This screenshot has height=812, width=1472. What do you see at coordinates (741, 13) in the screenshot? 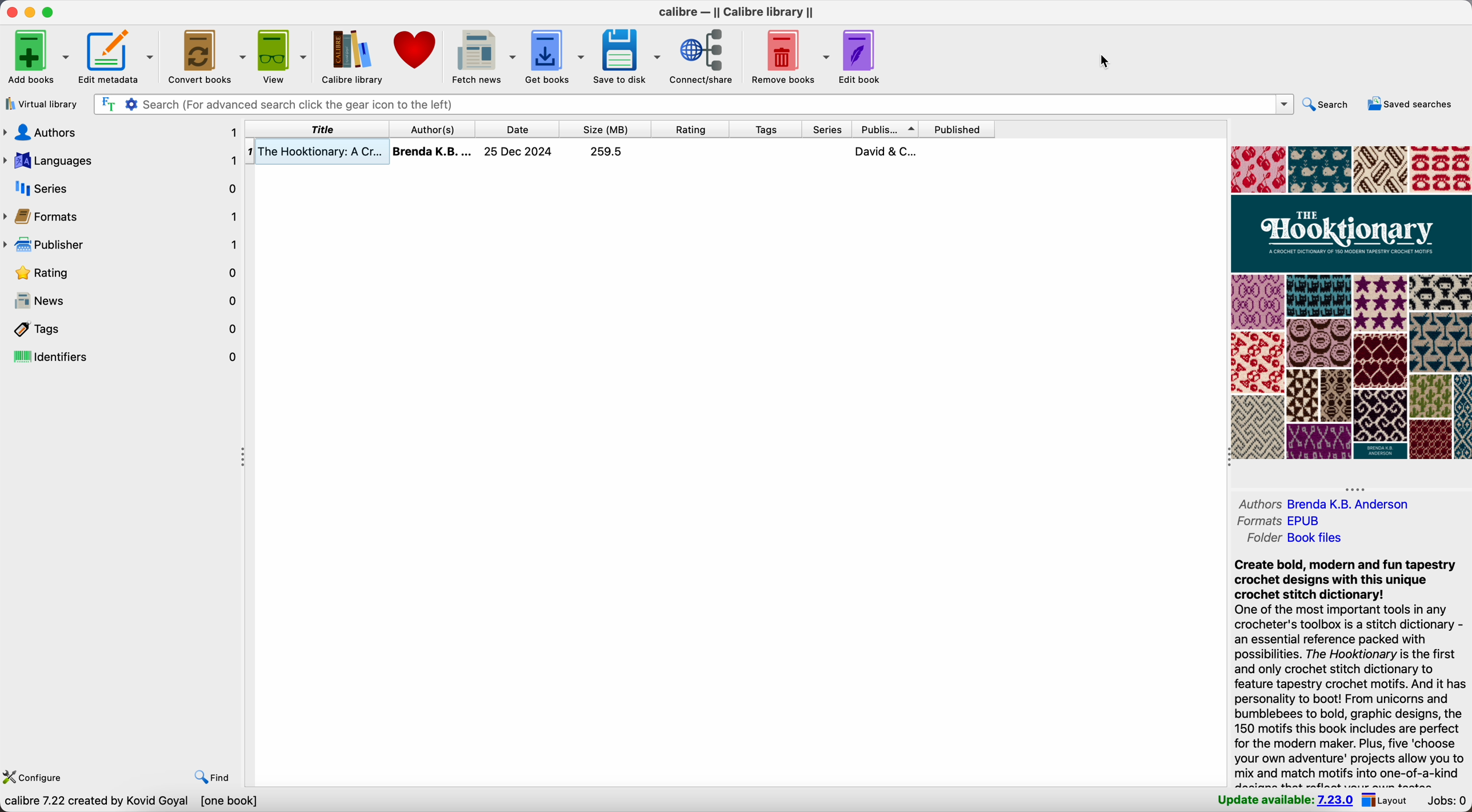
I see `Calibre` at bounding box center [741, 13].